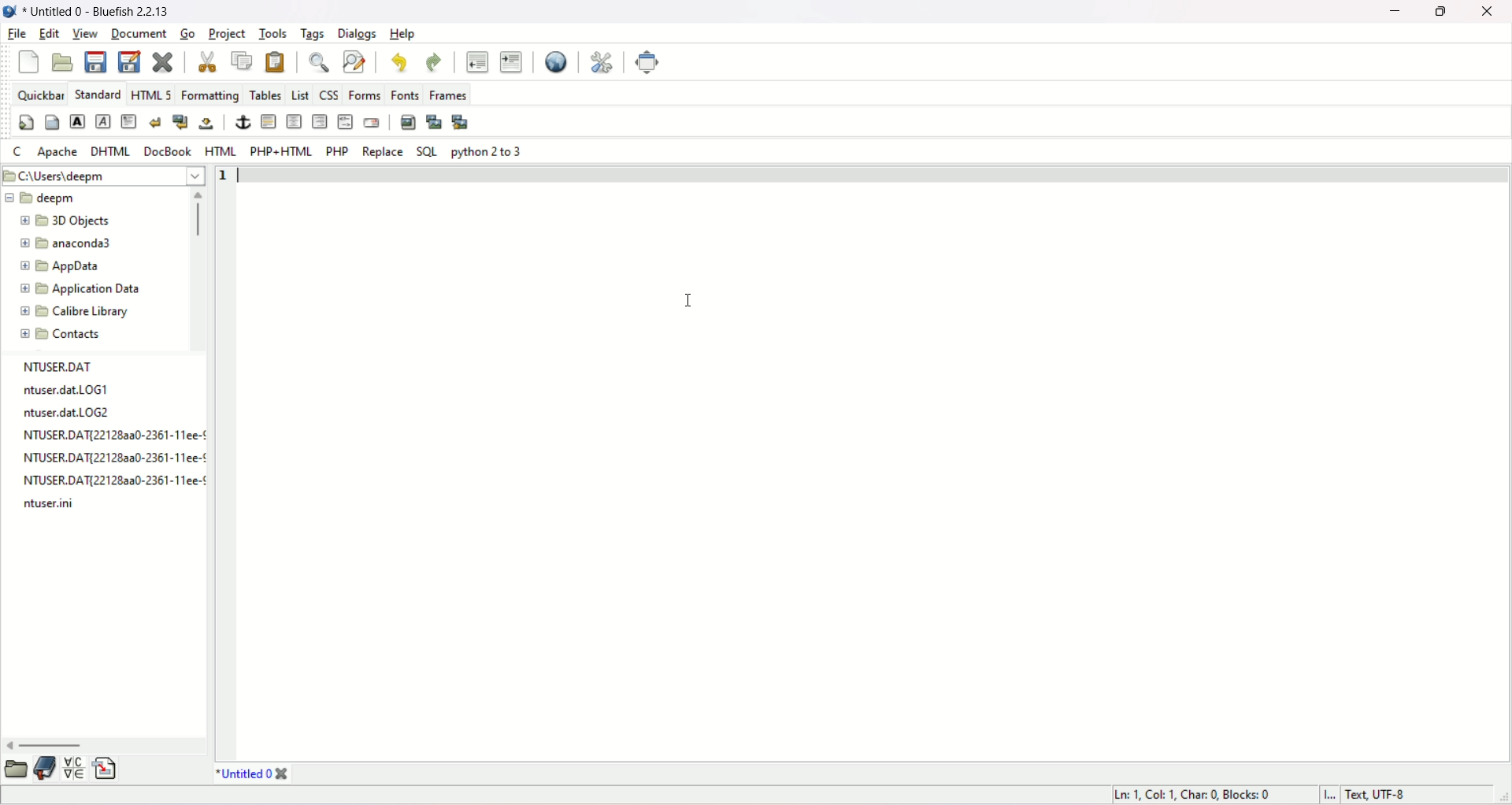 The width and height of the screenshot is (1512, 805). Describe the element at coordinates (363, 95) in the screenshot. I see `forms` at that location.